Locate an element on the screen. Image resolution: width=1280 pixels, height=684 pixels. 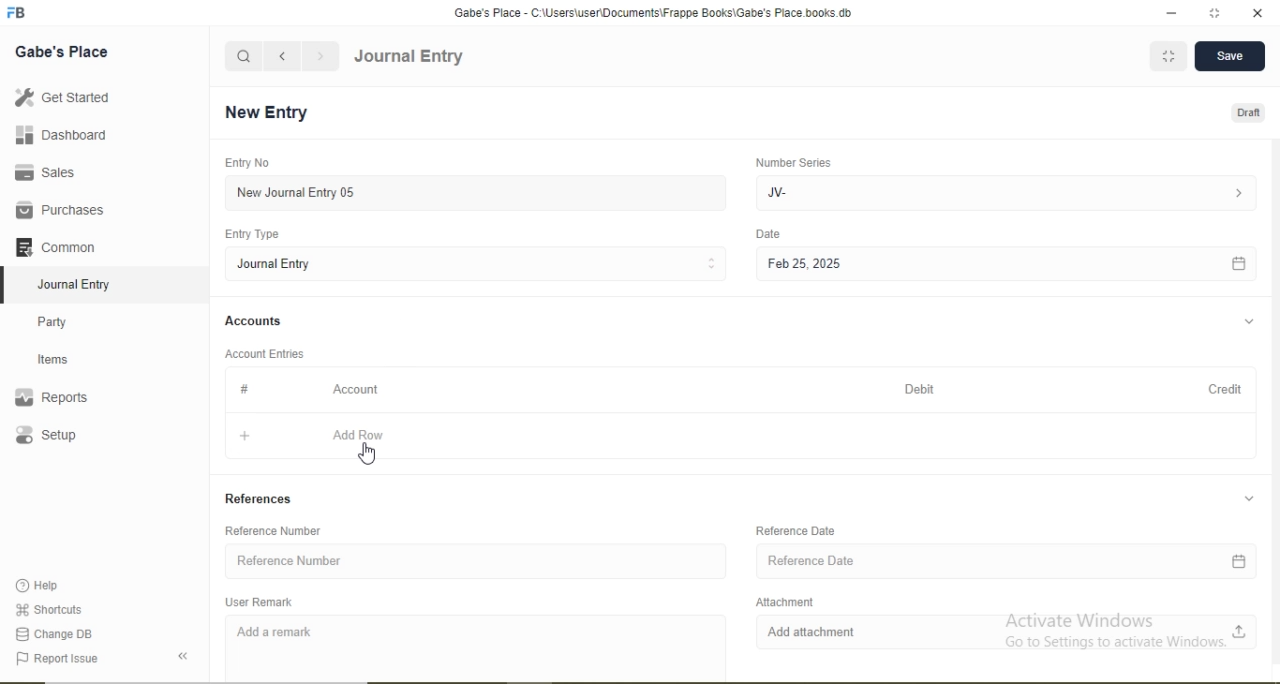
collapse/expand is located at coordinates (1249, 501).